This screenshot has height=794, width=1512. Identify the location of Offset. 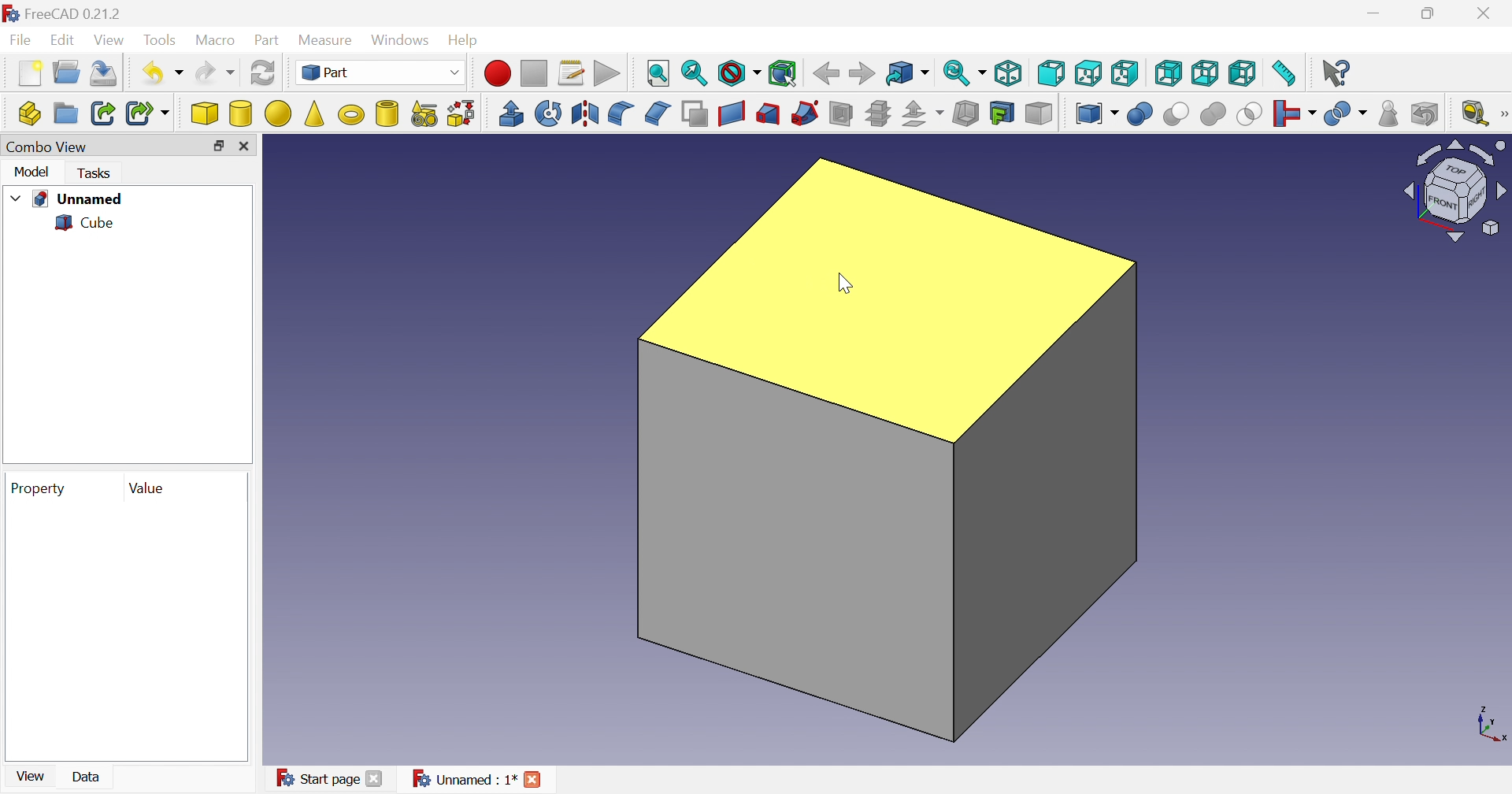
(925, 114).